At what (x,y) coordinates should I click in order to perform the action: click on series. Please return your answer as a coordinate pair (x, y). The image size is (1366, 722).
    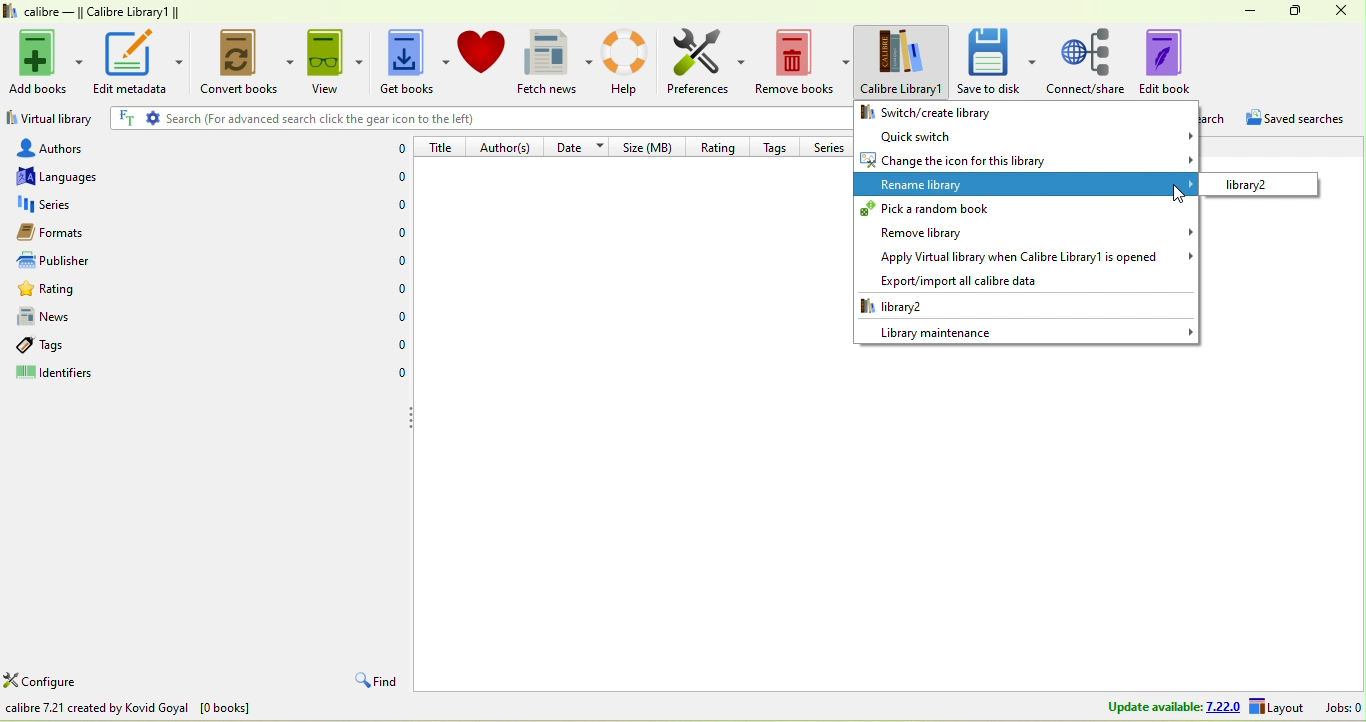
    Looking at the image, I should click on (831, 146).